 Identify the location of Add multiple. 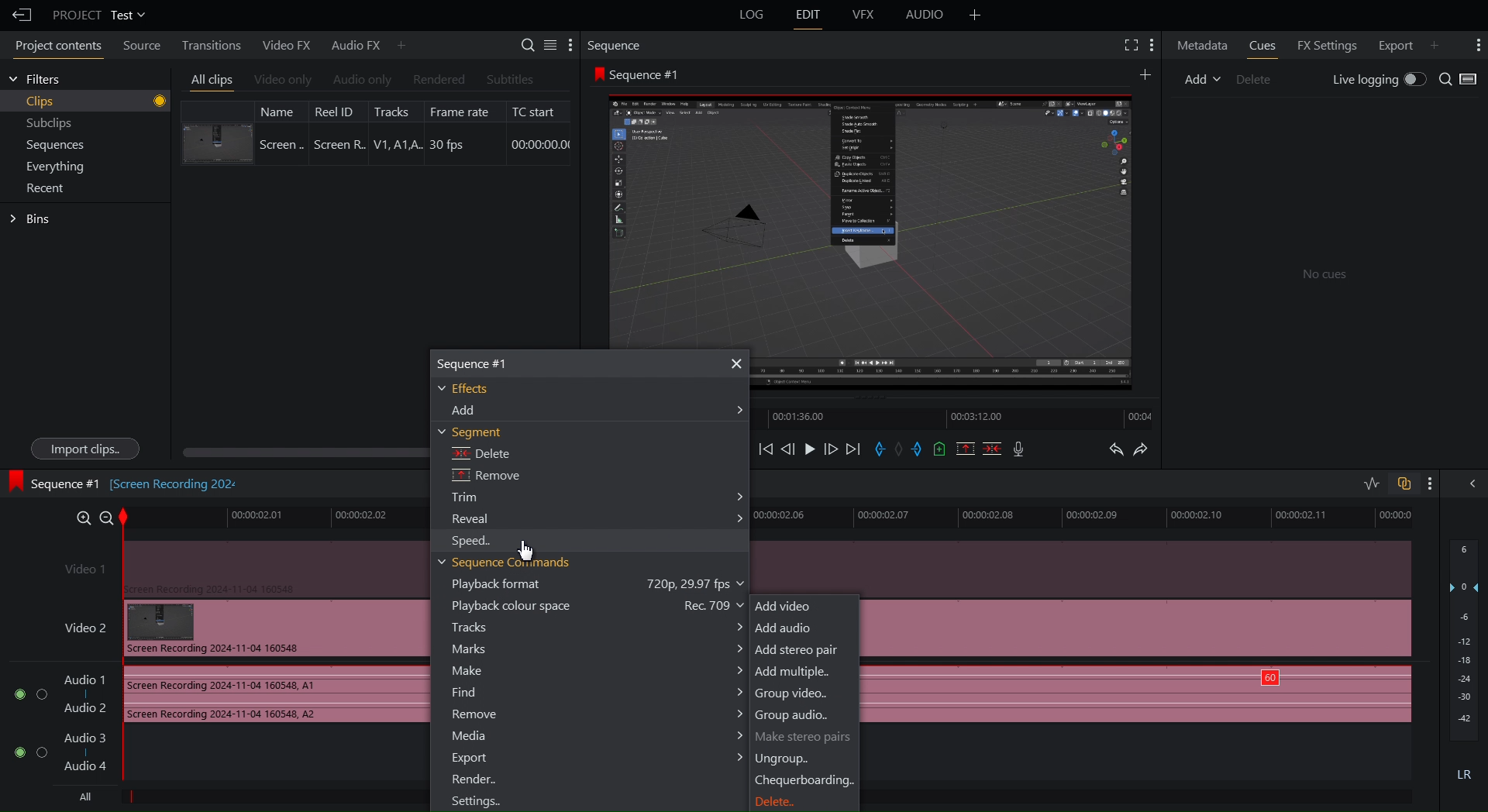
(795, 672).